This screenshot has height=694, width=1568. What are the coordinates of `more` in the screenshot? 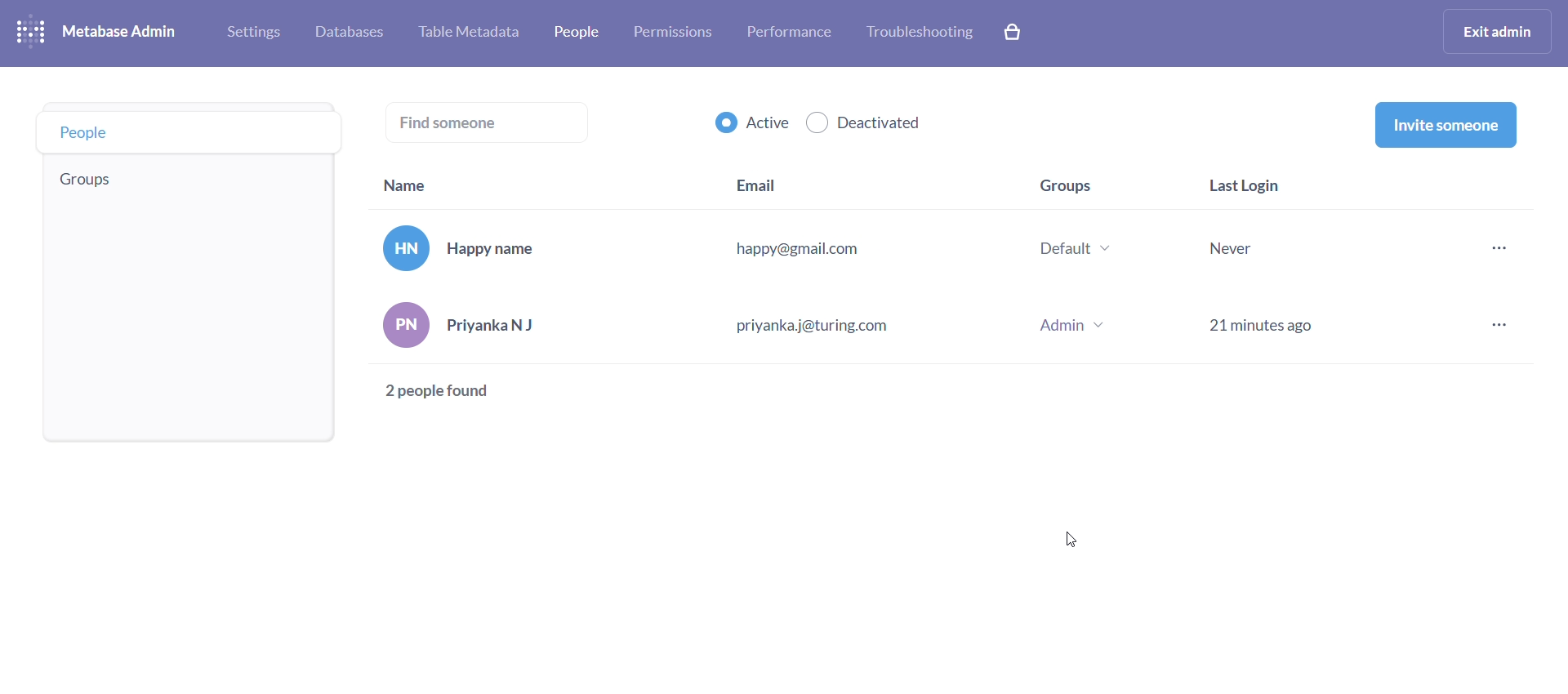 It's located at (1506, 290).